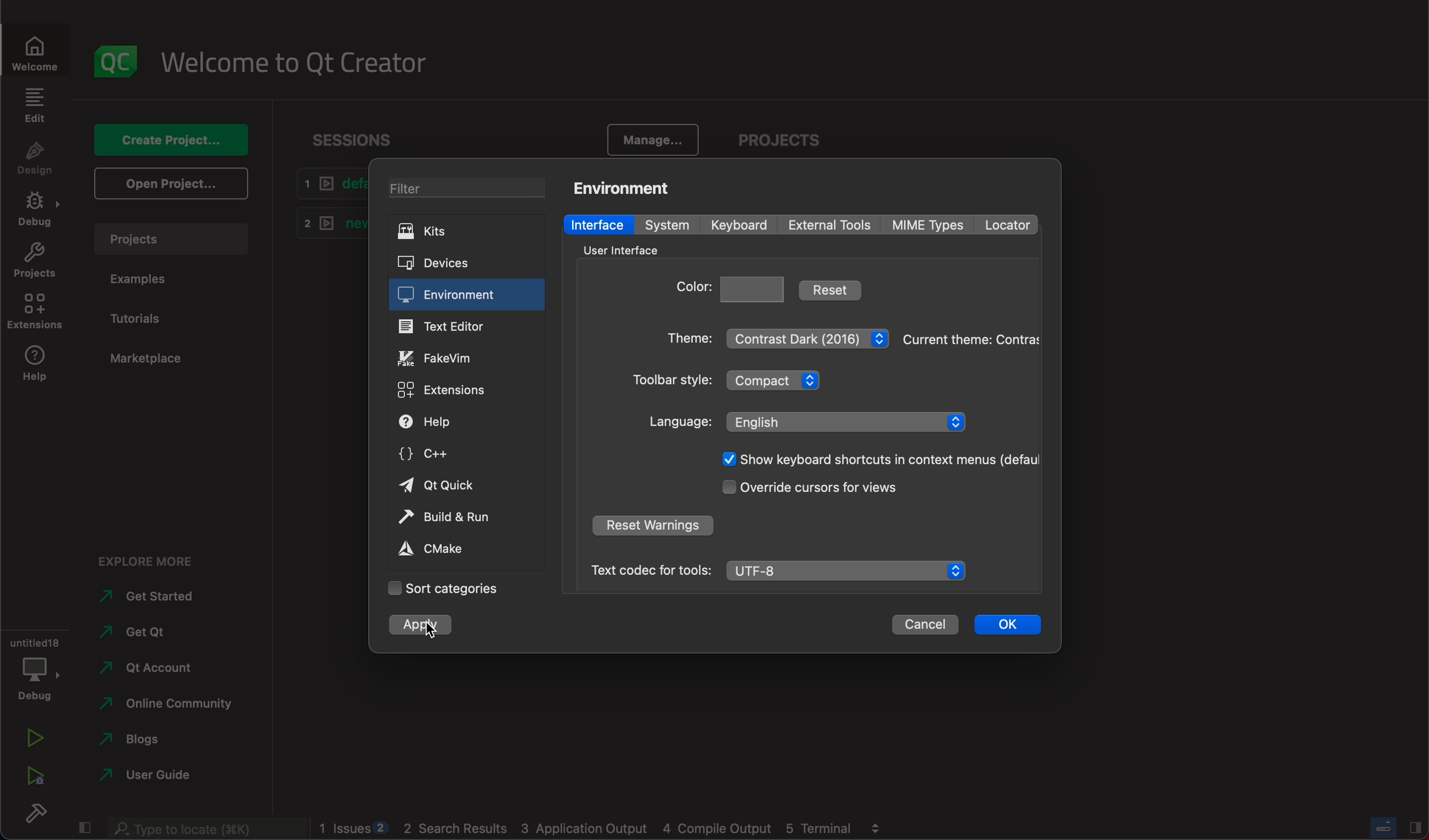  Describe the element at coordinates (35, 160) in the screenshot. I see `design` at that location.